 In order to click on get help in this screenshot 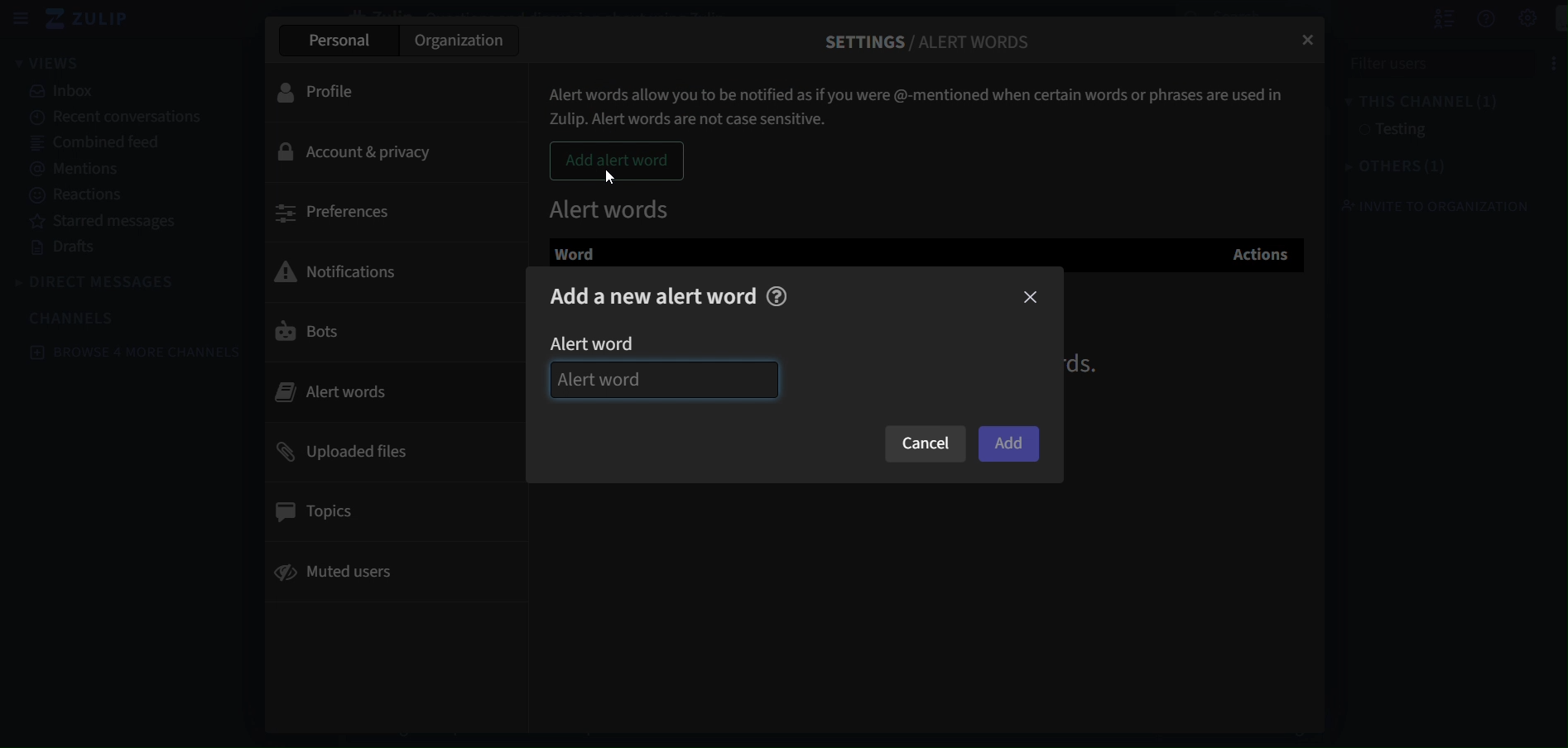, I will do `click(1468, 19)`.